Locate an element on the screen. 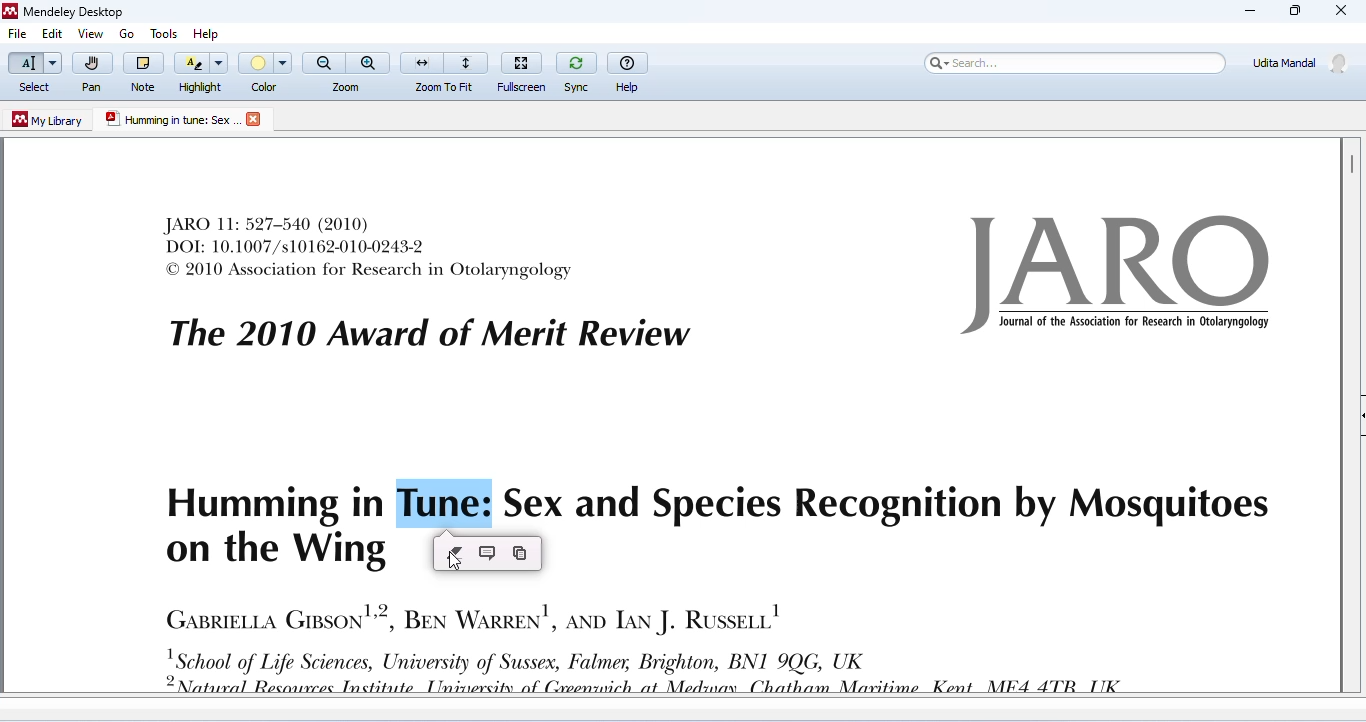 This screenshot has width=1366, height=722. my library is located at coordinates (49, 120).